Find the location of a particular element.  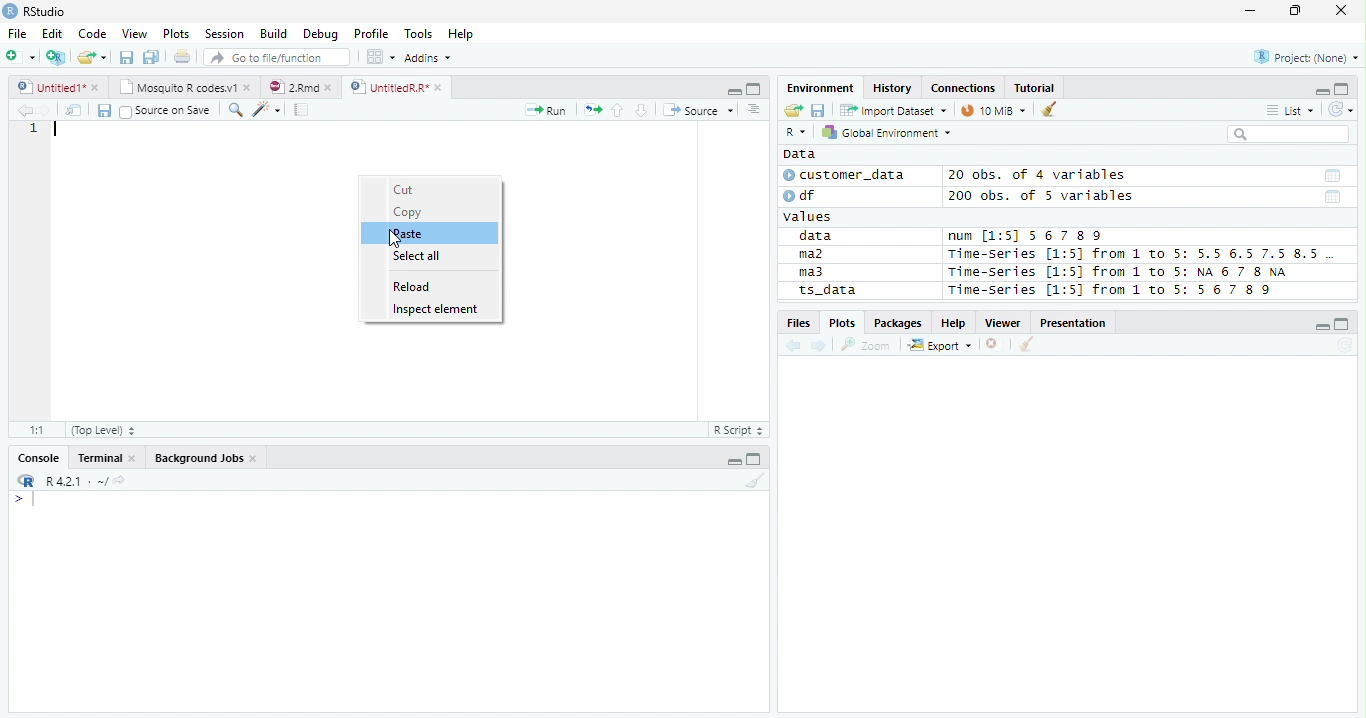

Save is located at coordinates (103, 110).